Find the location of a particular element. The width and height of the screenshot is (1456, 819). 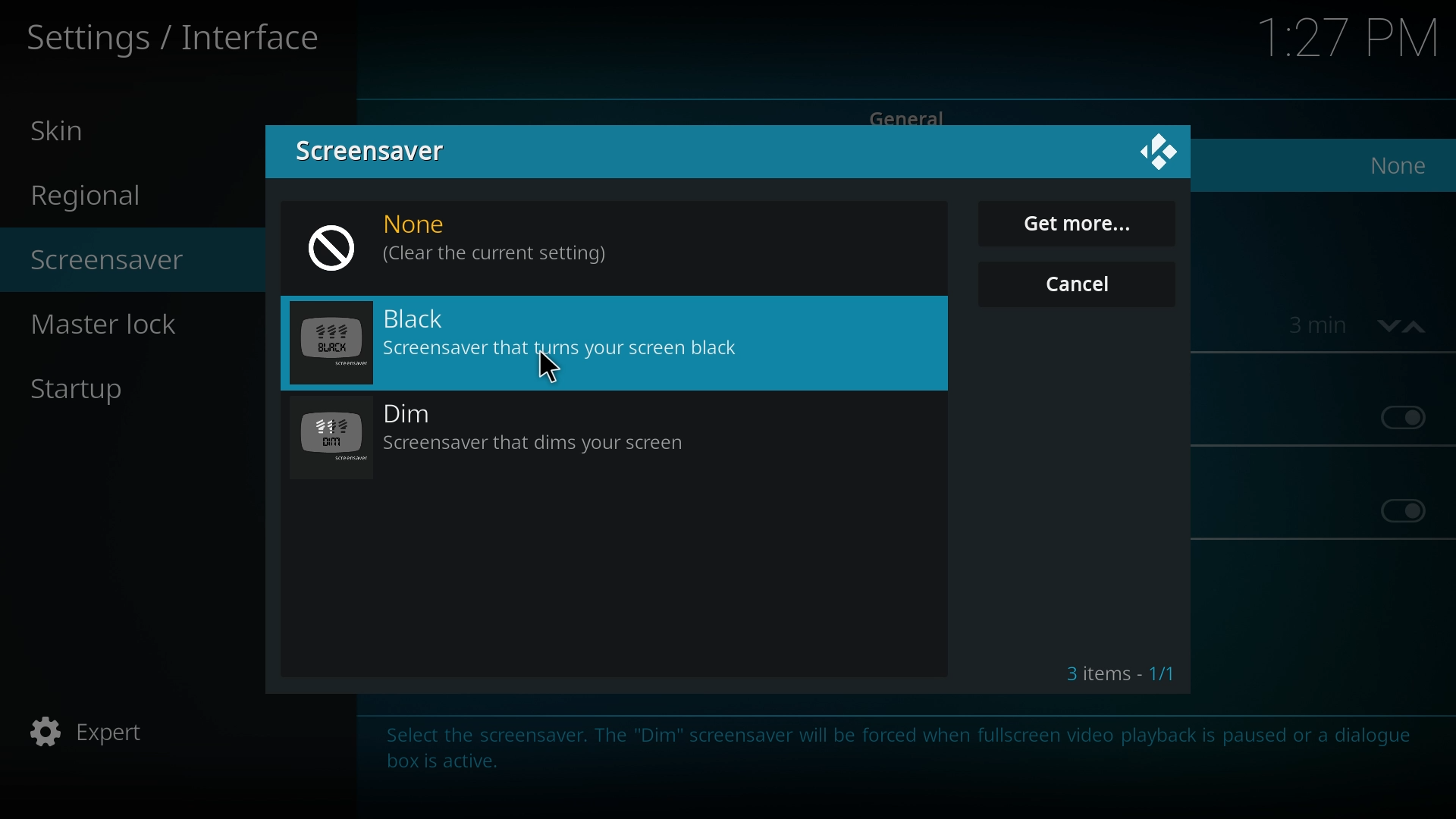

get more is located at coordinates (1079, 221).